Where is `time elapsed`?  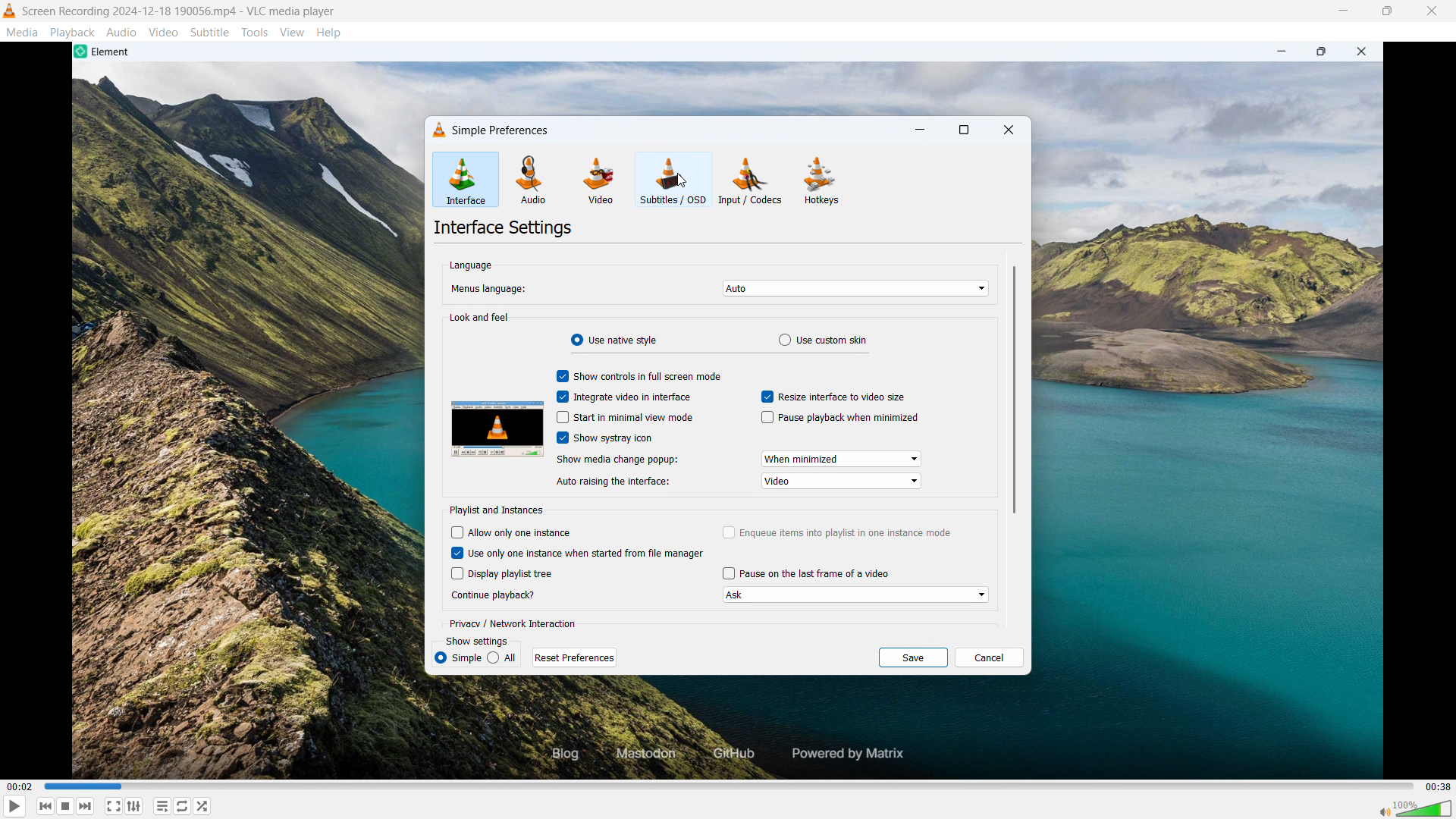
time elapsed is located at coordinates (20, 787).